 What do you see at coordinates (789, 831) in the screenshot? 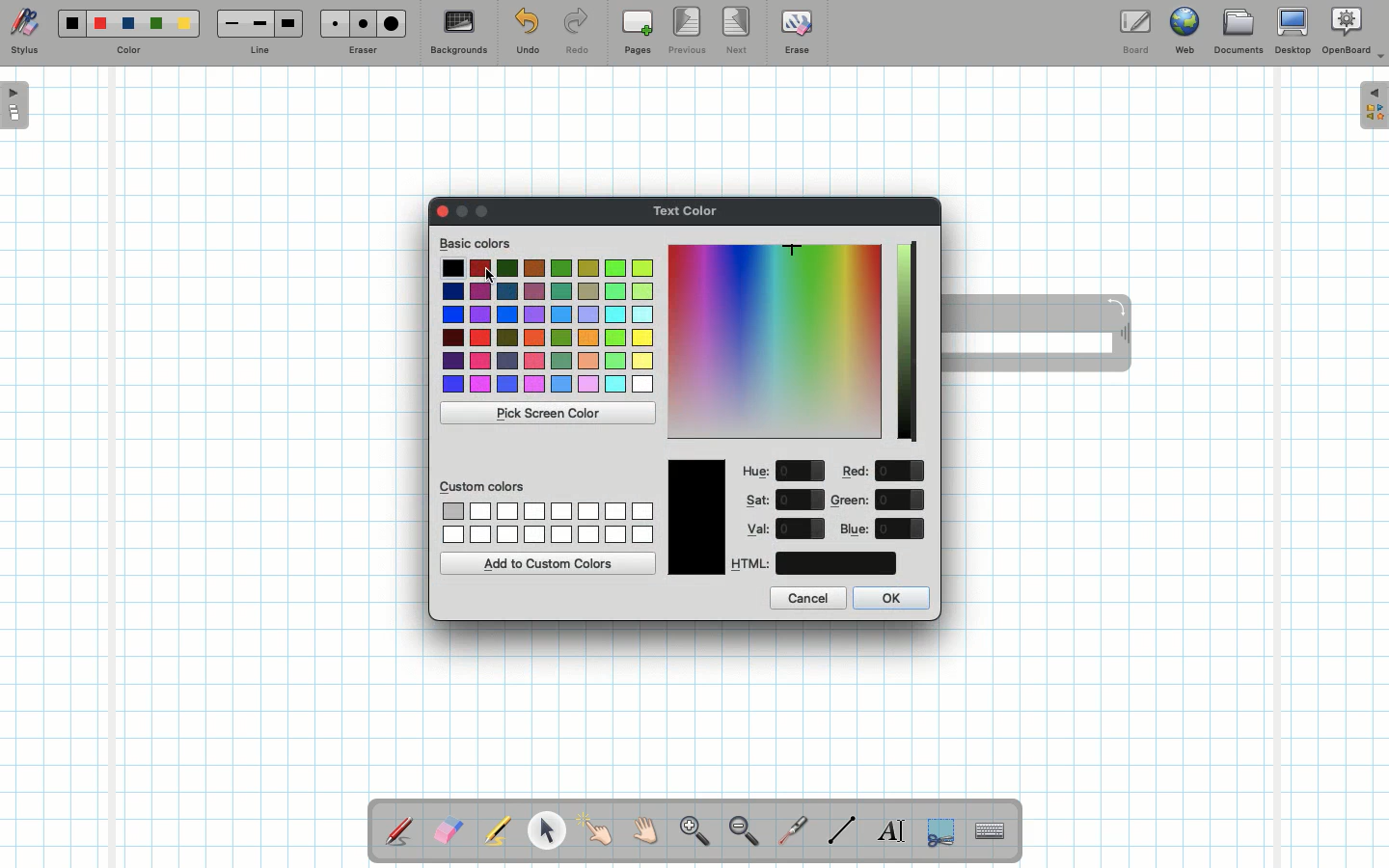
I see `Laser pointer` at bounding box center [789, 831].